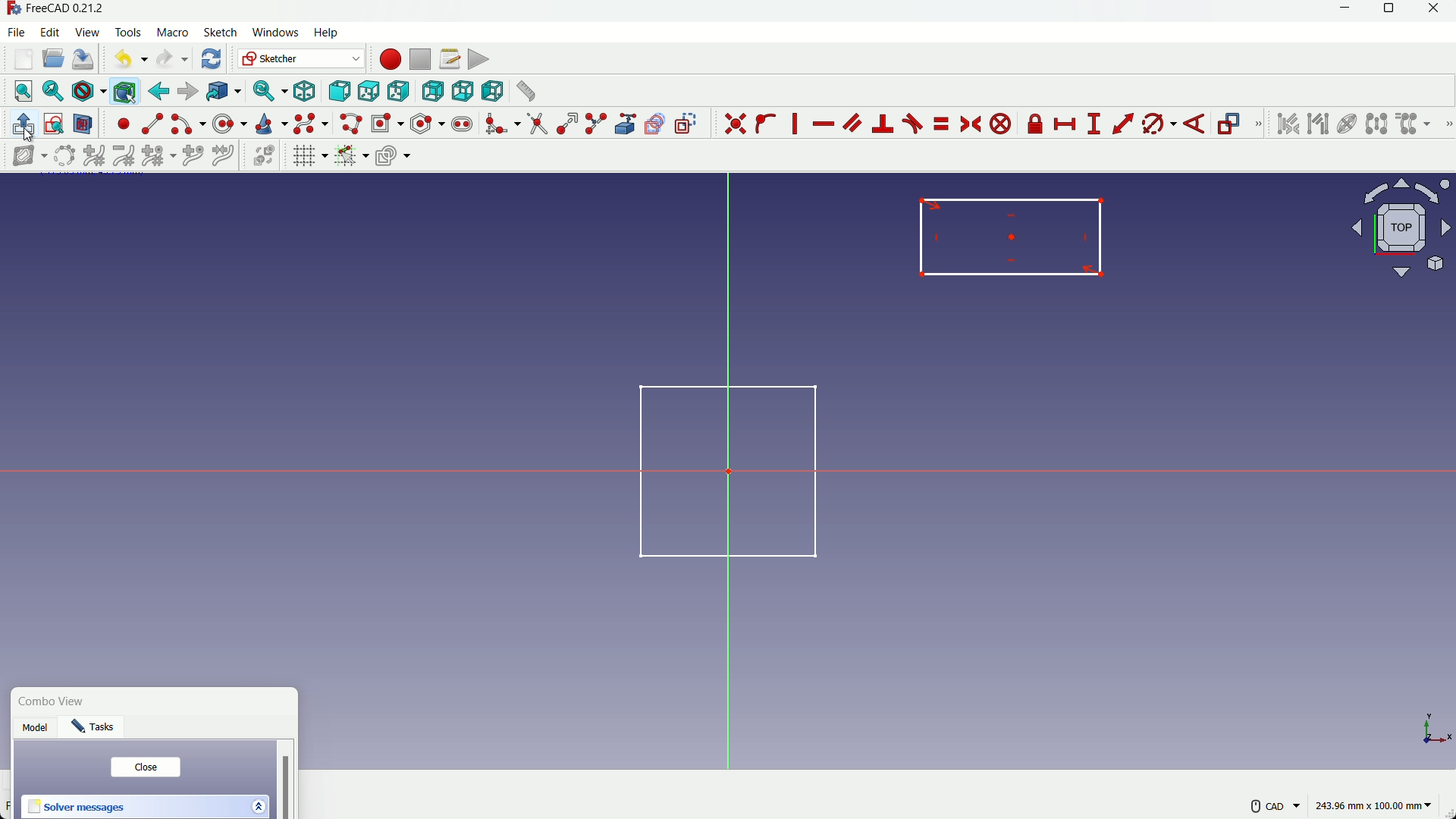  Describe the element at coordinates (77, 808) in the screenshot. I see `Solver Messages` at that location.